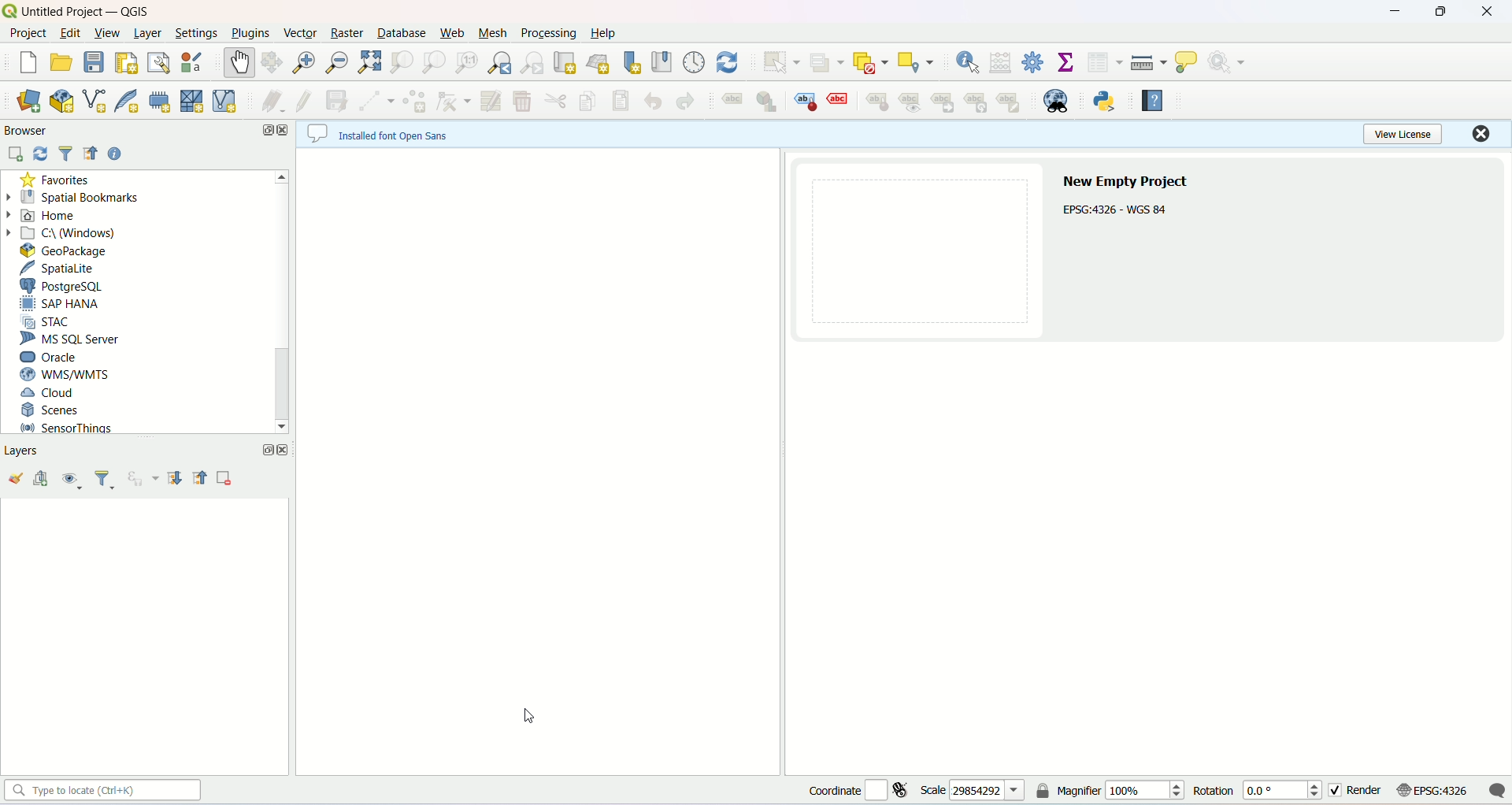  What do you see at coordinates (550, 33) in the screenshot?
I see `processing` at bounding box center [550, 33].